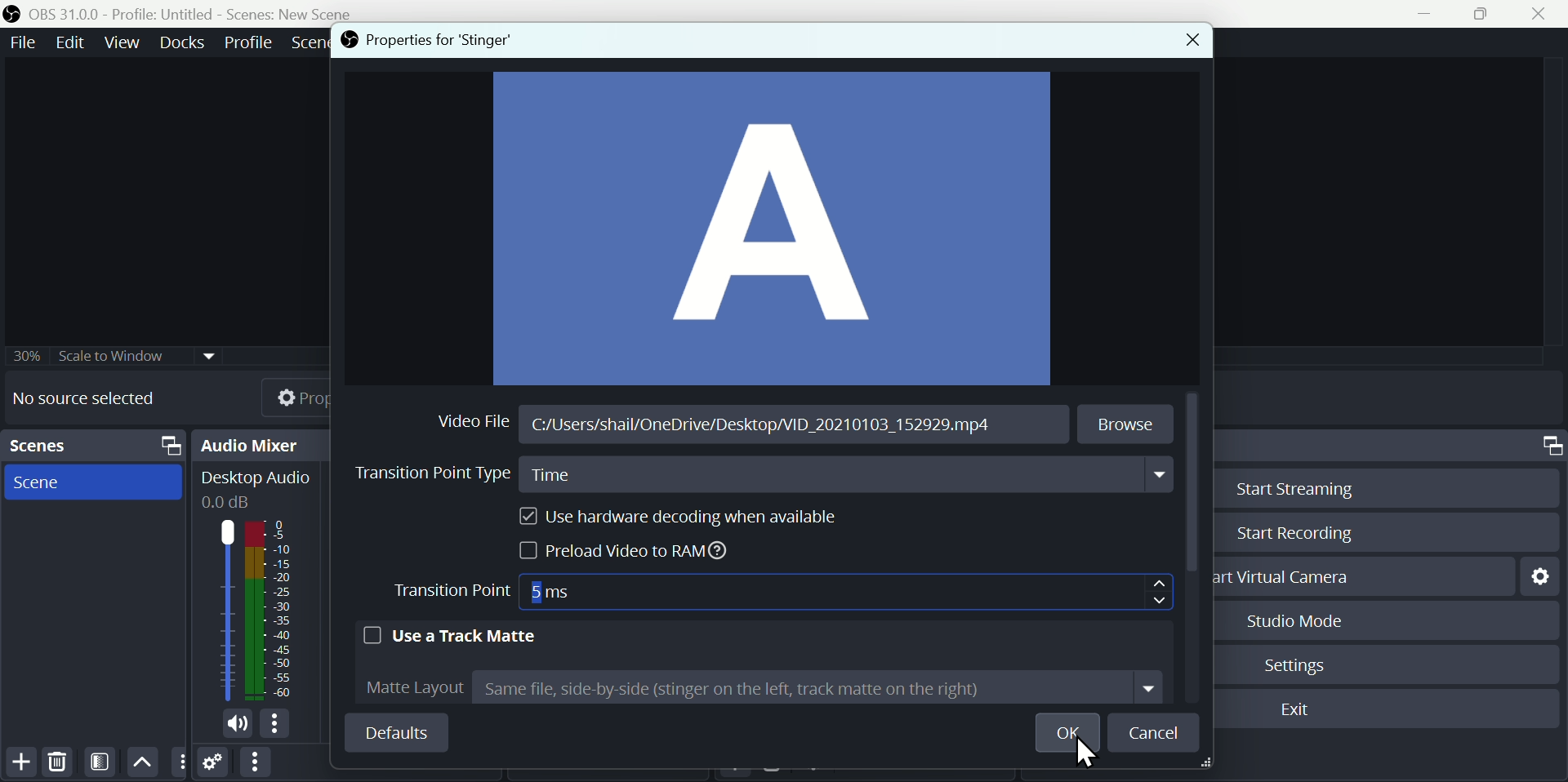 The width and height of the screenshot is (1568, 782). Describe the element at coordinates (97, 446) in the screenshot. I see `Scenes` at that location.